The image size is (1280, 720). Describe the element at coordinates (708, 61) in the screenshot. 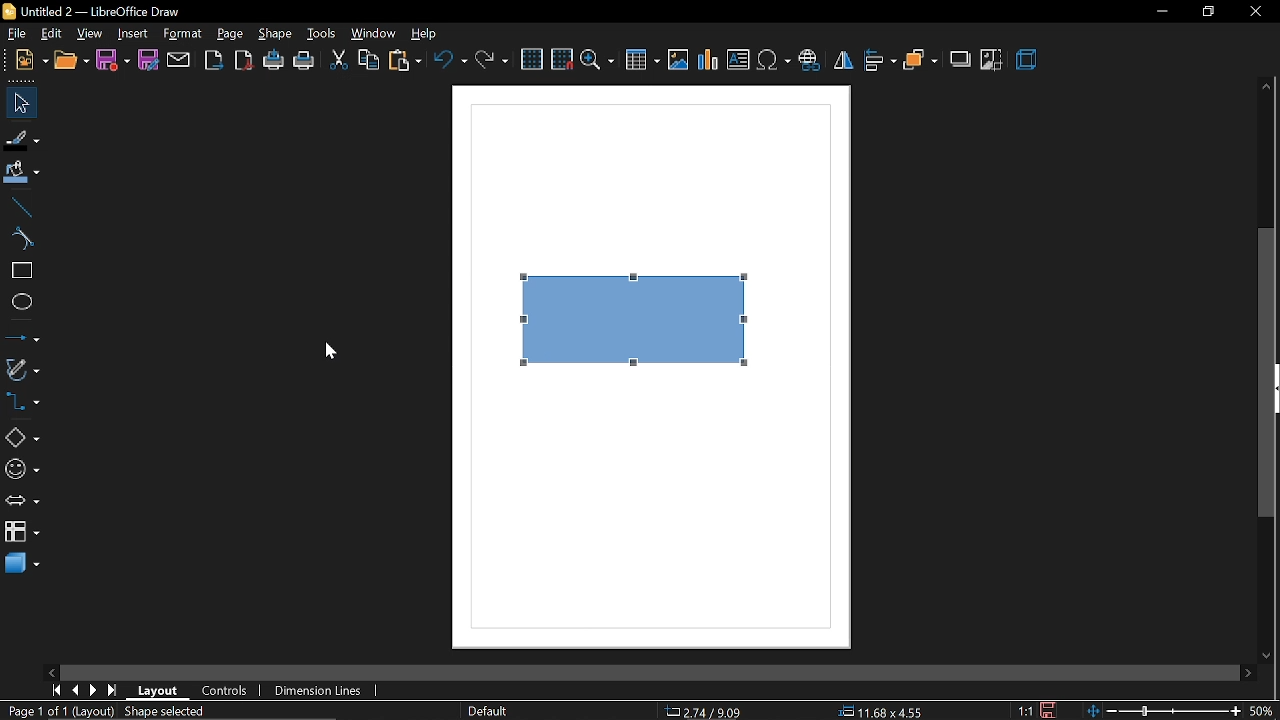

I see `insert chart` at that location.